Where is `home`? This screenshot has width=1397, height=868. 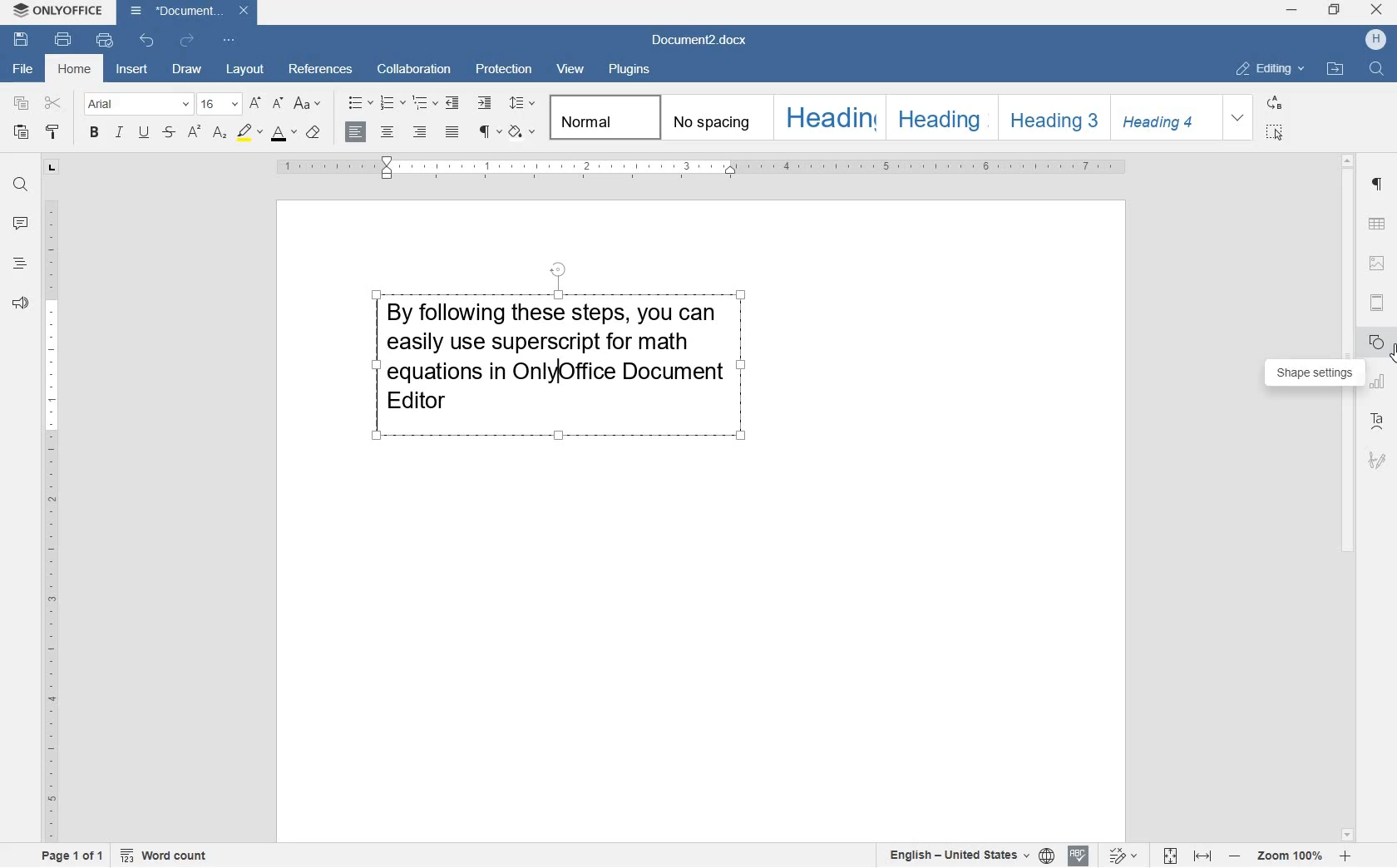
home is located at coordinates (72, 68).